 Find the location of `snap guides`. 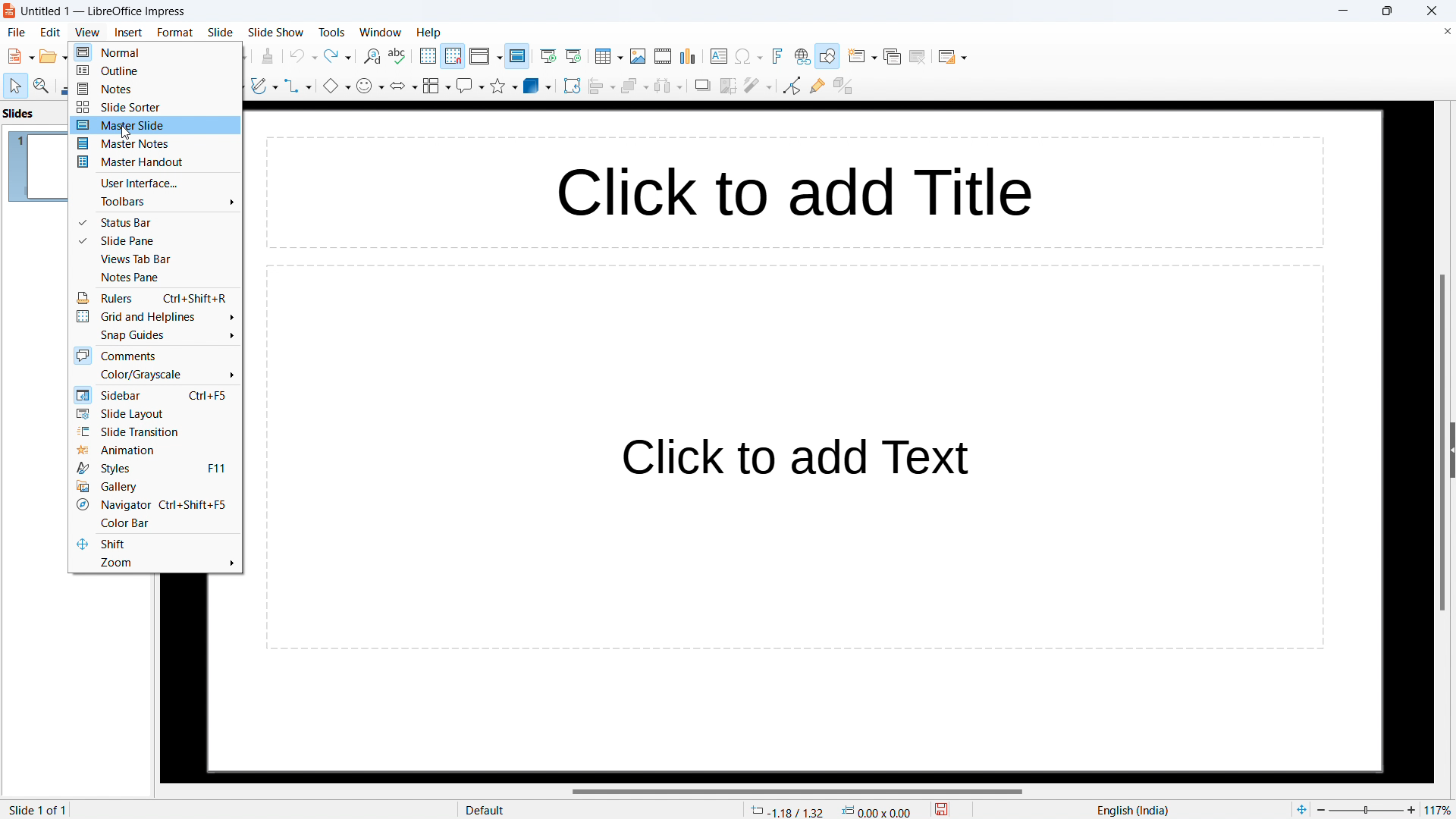

snap guides is located at coordinates (156, 335).